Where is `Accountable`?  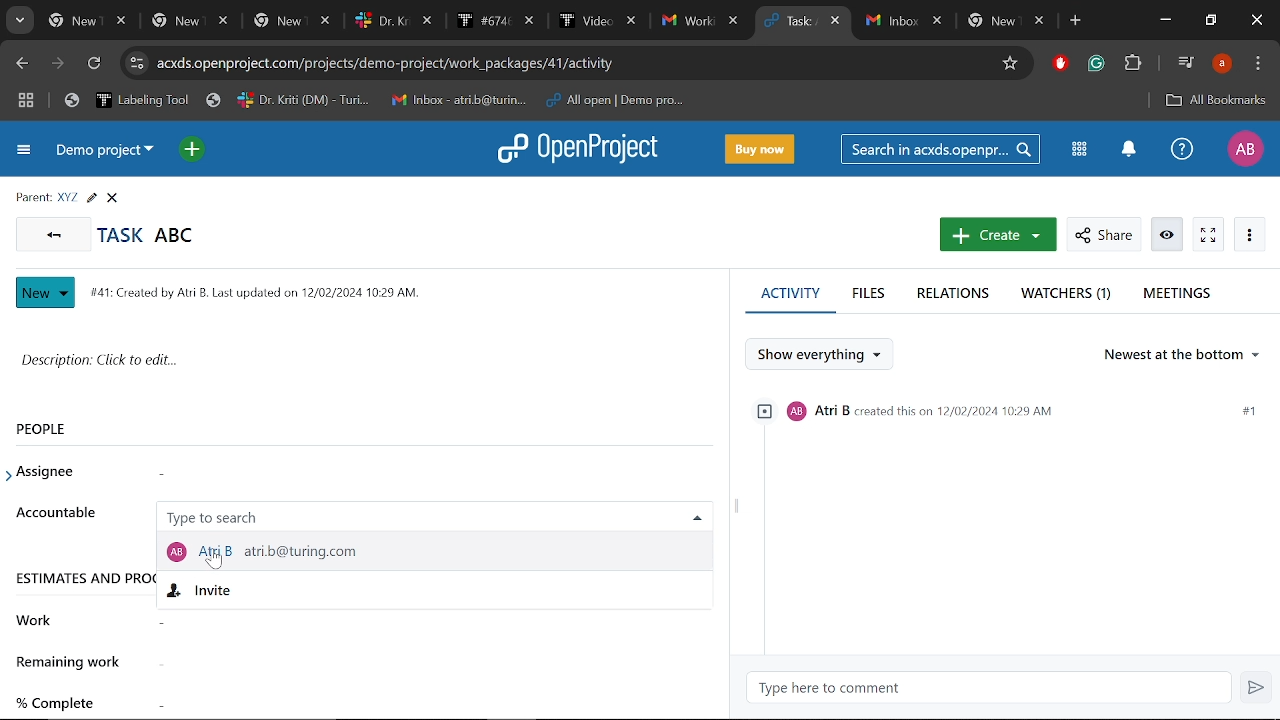
Accountable is located at coordinates (322, 515).